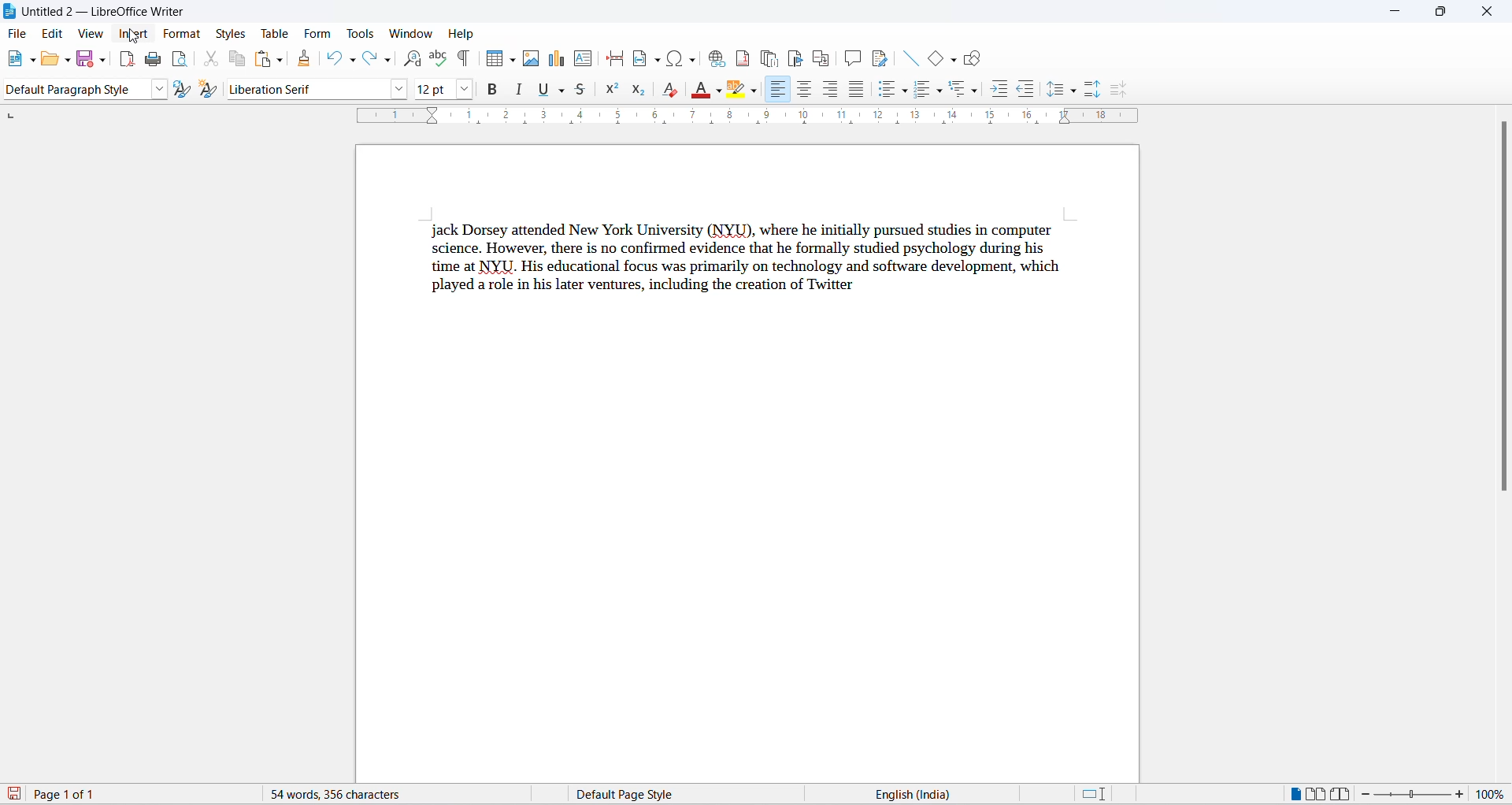 The height and width of the screenshot is (805, 1512). I want to click on table grid, so click(513, 61).